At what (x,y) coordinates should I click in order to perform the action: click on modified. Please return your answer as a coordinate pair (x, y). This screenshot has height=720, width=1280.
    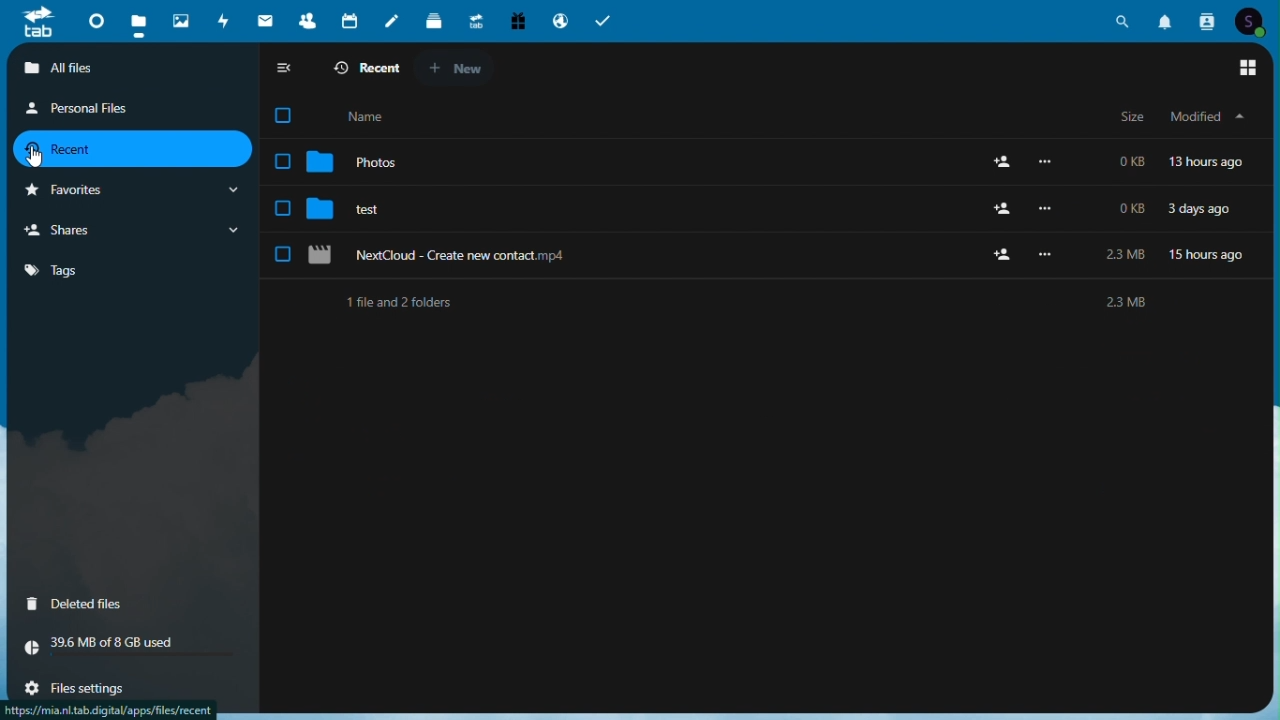
    Looking at the image, I should click on (1206, 117).